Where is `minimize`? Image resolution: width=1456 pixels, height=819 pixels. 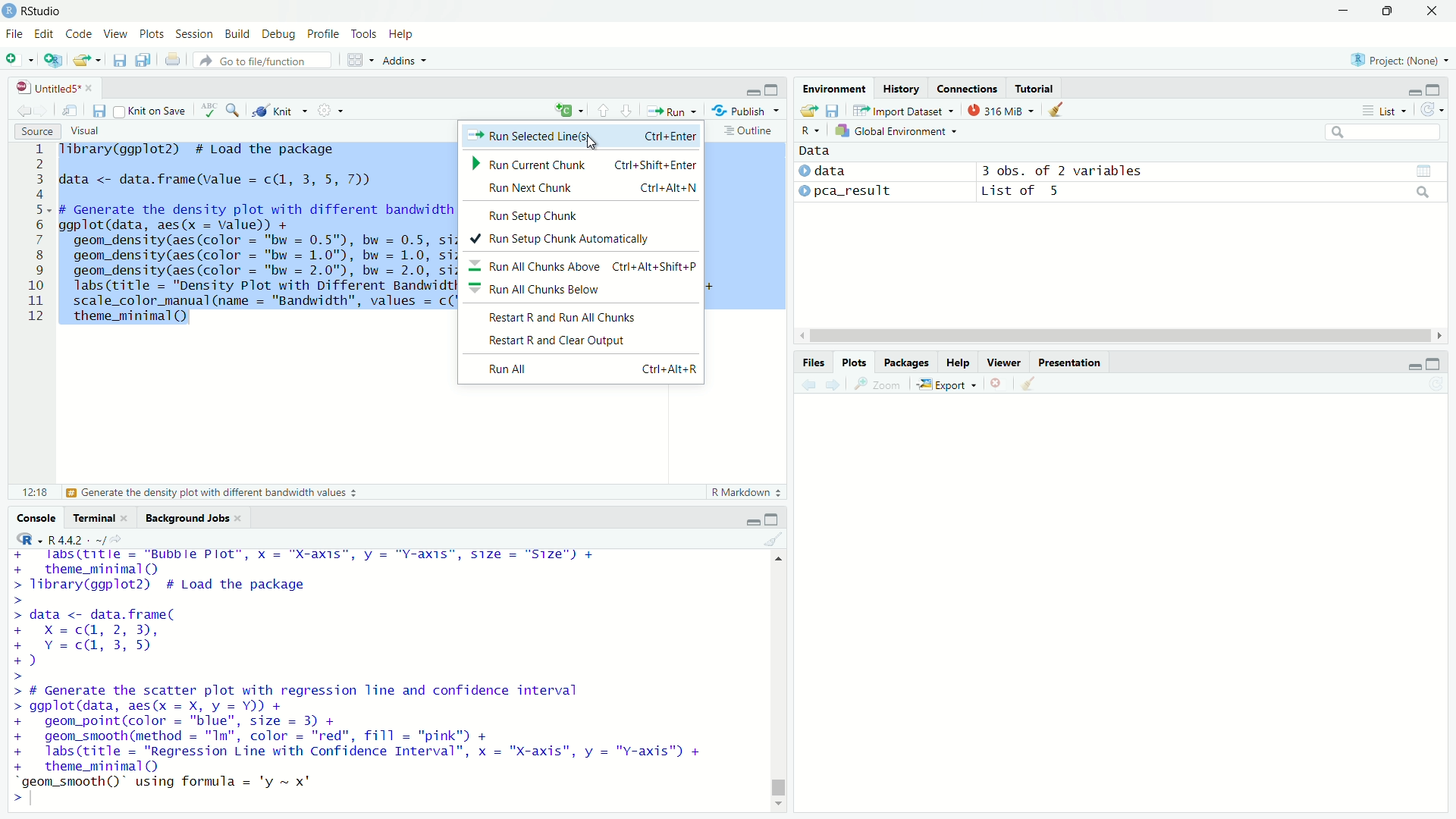
minimize is located at coordinates (1343, 11).